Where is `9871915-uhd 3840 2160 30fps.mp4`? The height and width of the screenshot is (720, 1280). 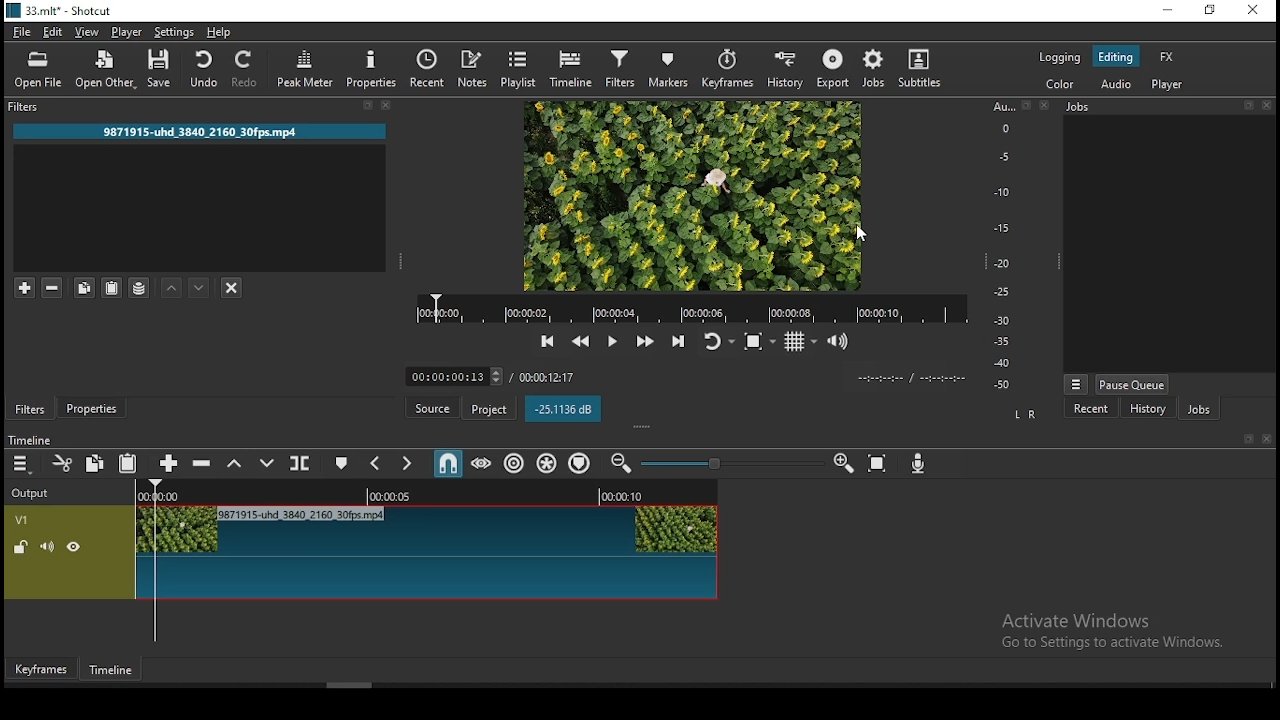 9871915-uhd 3840 2160 30fps.mp4 is located at coordinates (195, 131).